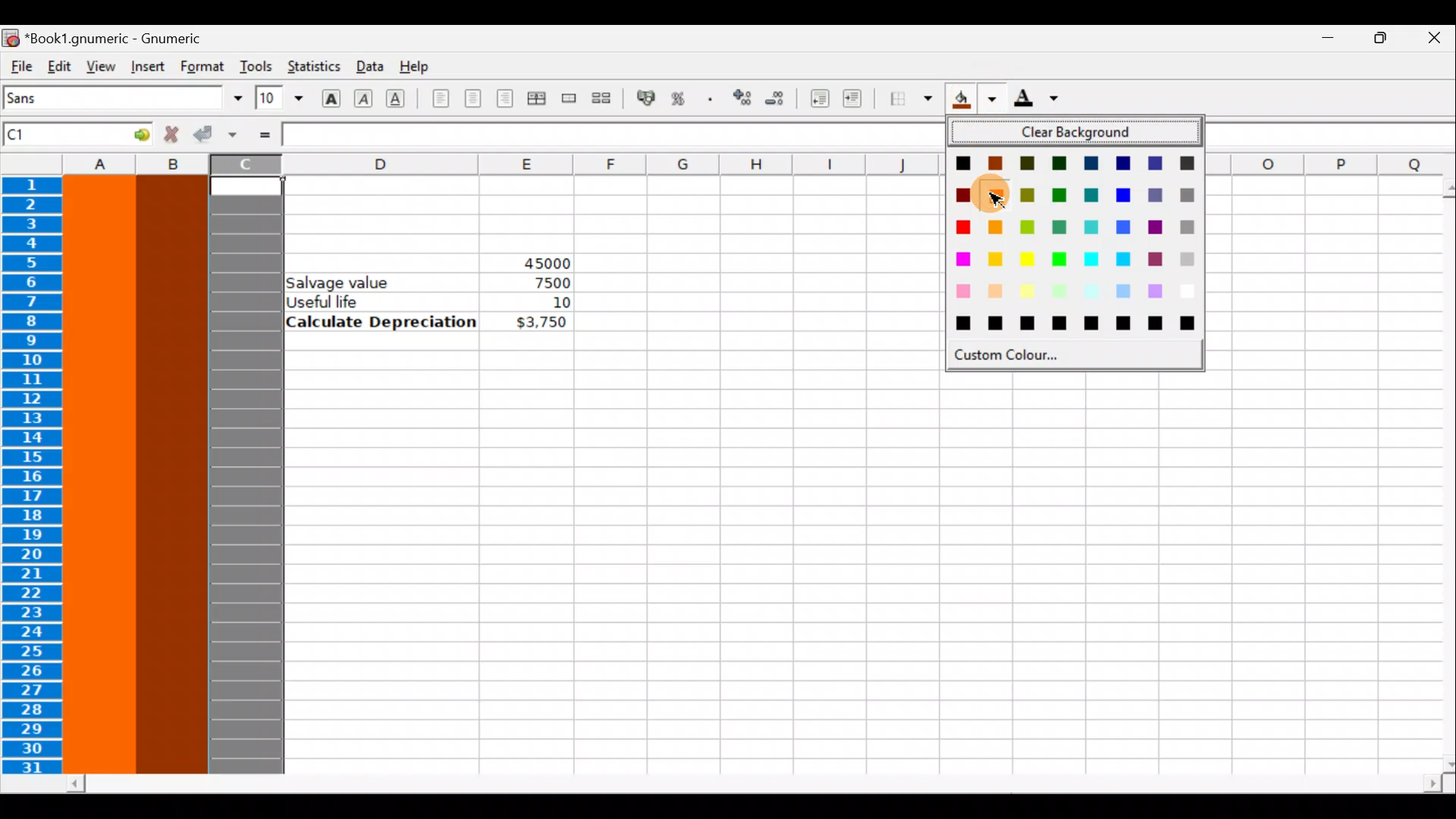 The width and height of the screenshot is (1456, 819). I want to click on Tools, so click(256, 66).